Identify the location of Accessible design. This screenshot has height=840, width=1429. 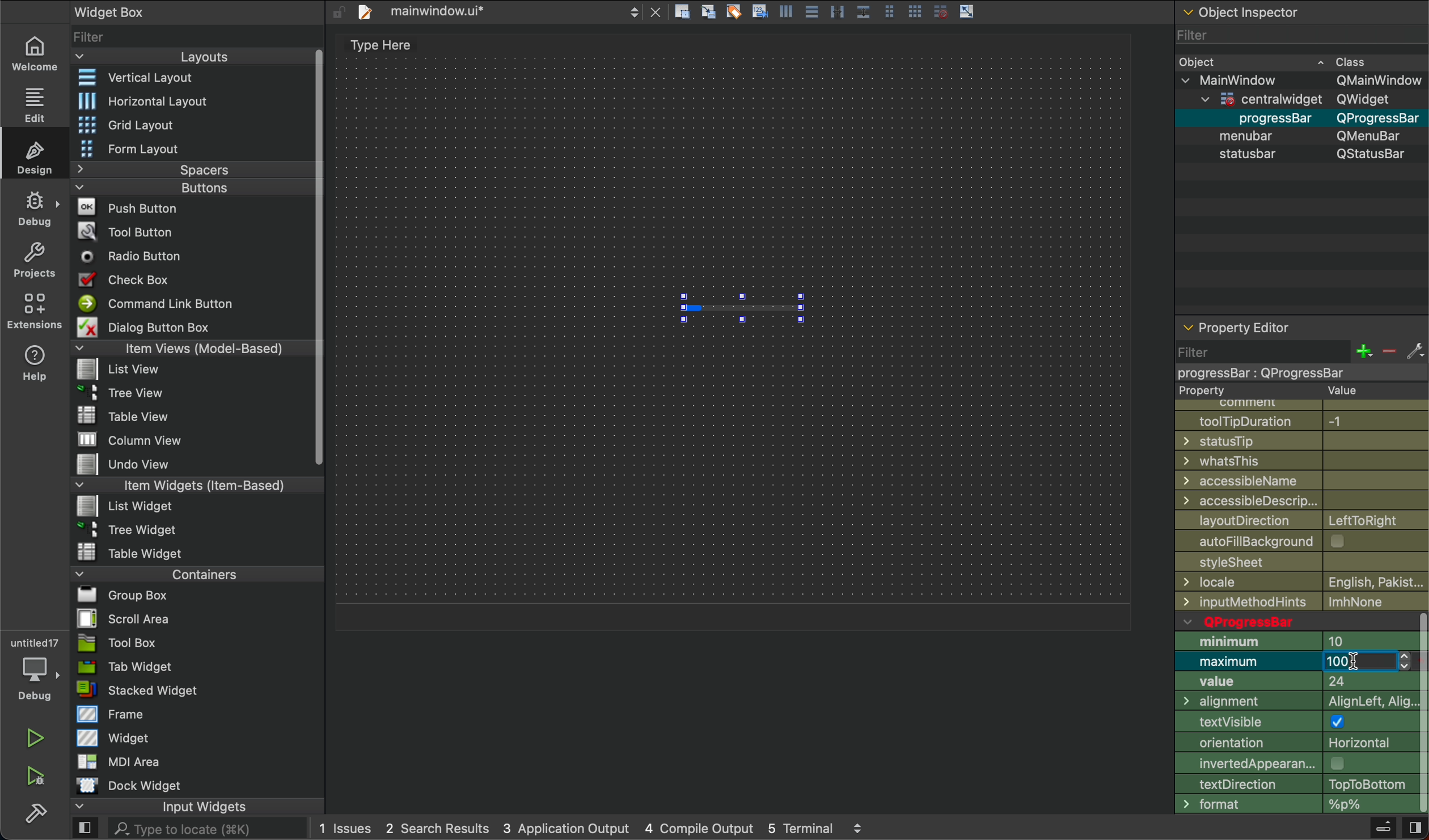
(1302, 500).